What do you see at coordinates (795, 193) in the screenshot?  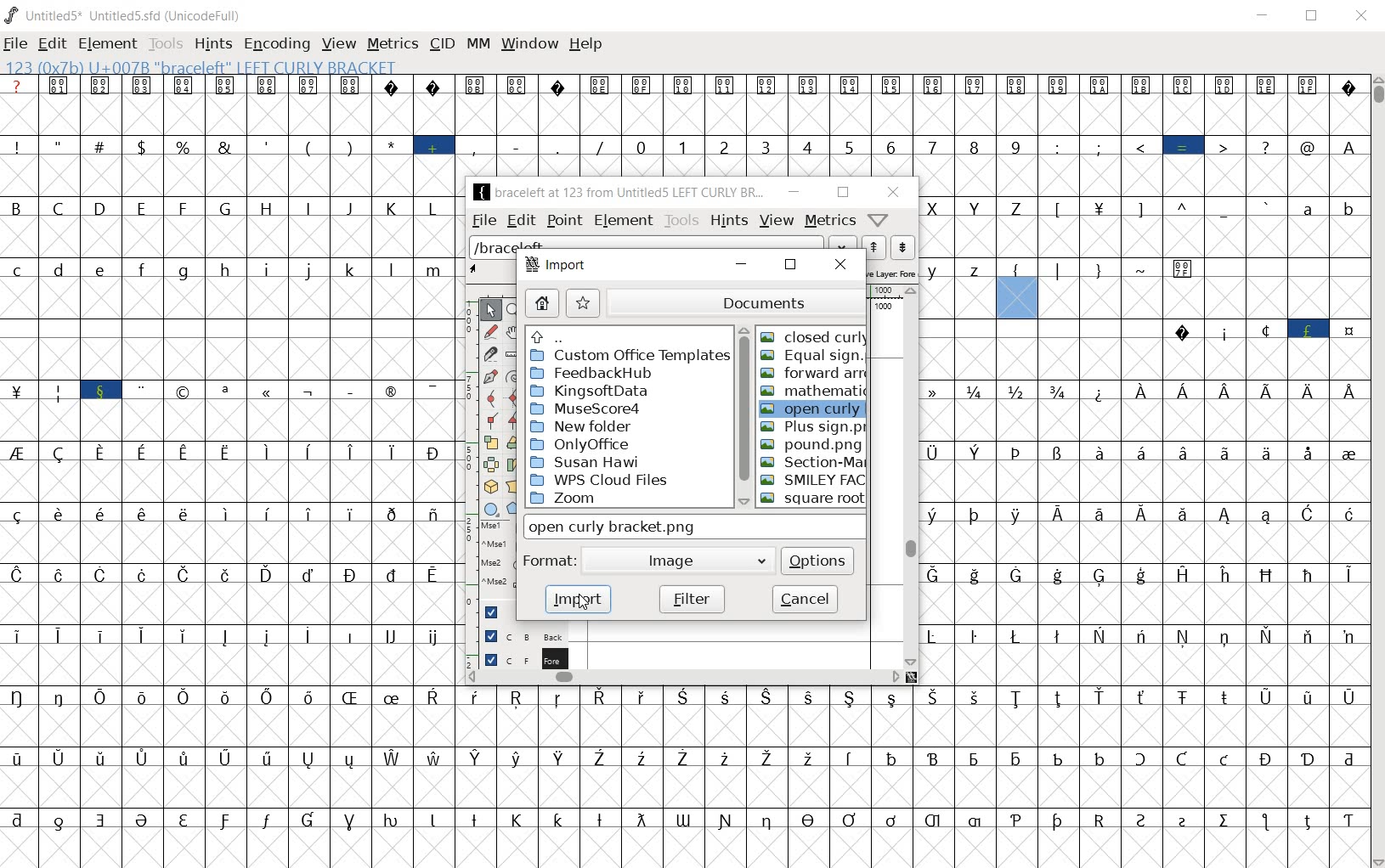 I see `minimize` at bounding box center [795, 193].